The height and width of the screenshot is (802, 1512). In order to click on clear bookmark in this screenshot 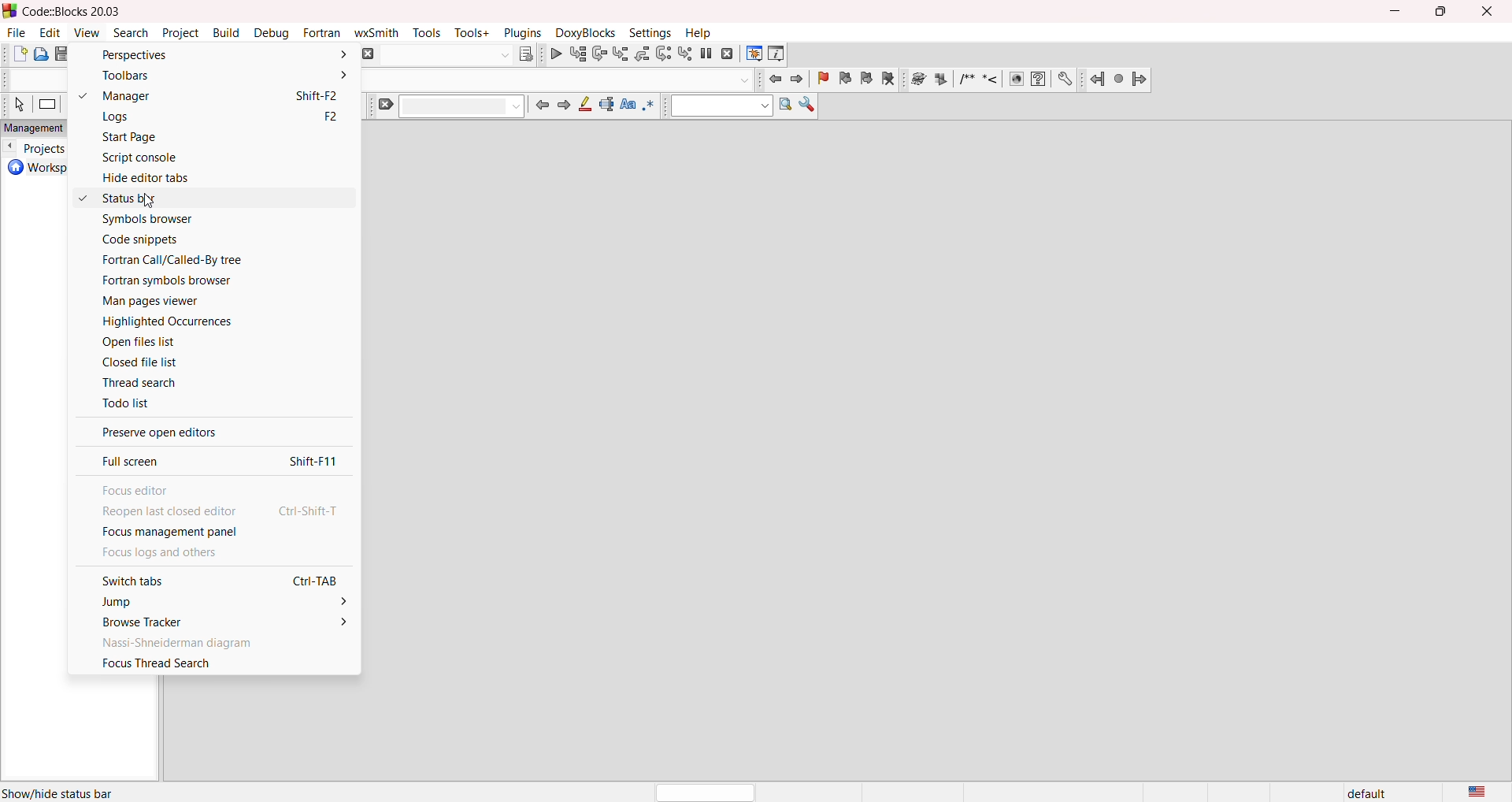, I will do `click(891, 80)`.